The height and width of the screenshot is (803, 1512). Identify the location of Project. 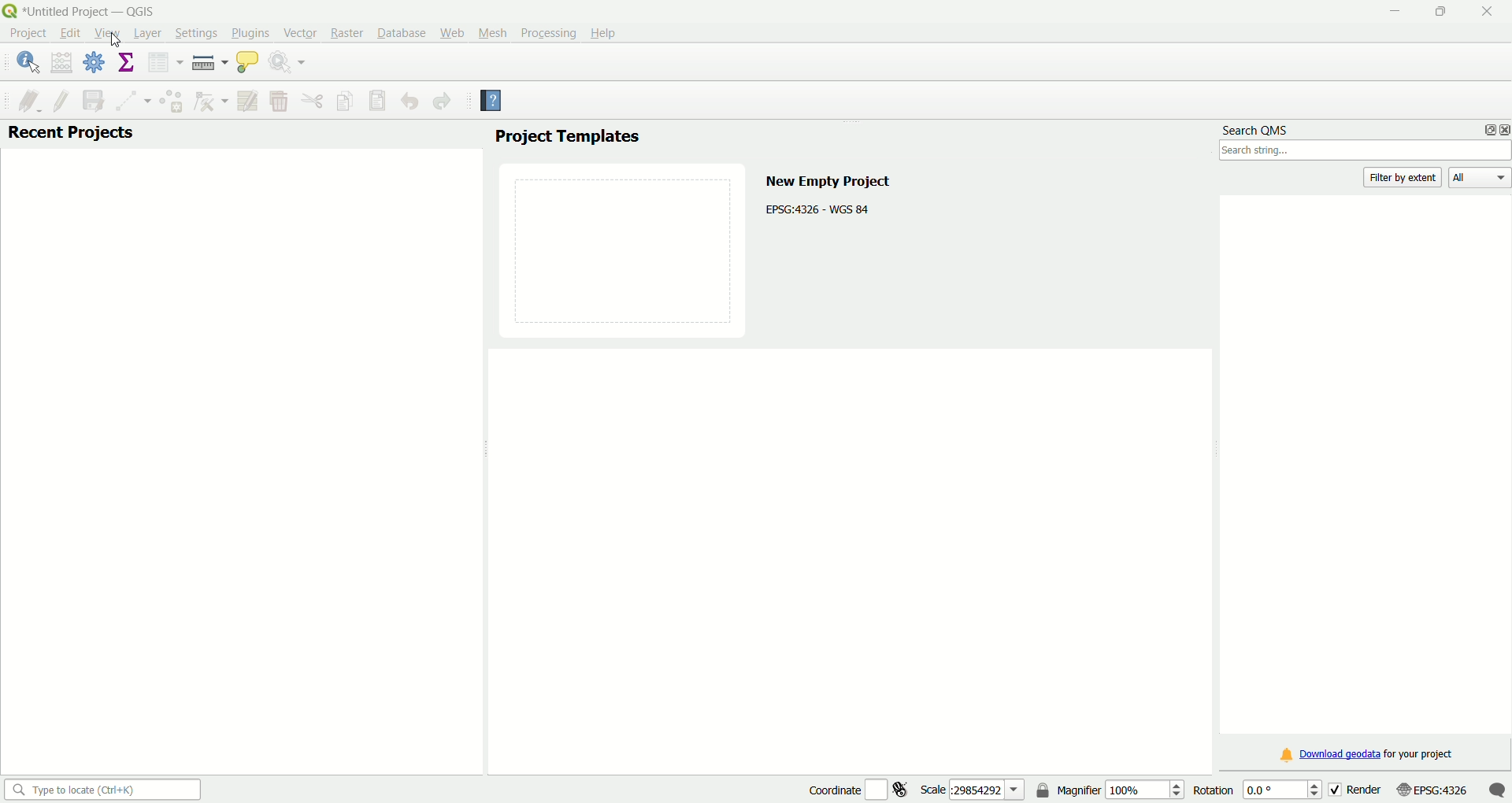
(28, 35).